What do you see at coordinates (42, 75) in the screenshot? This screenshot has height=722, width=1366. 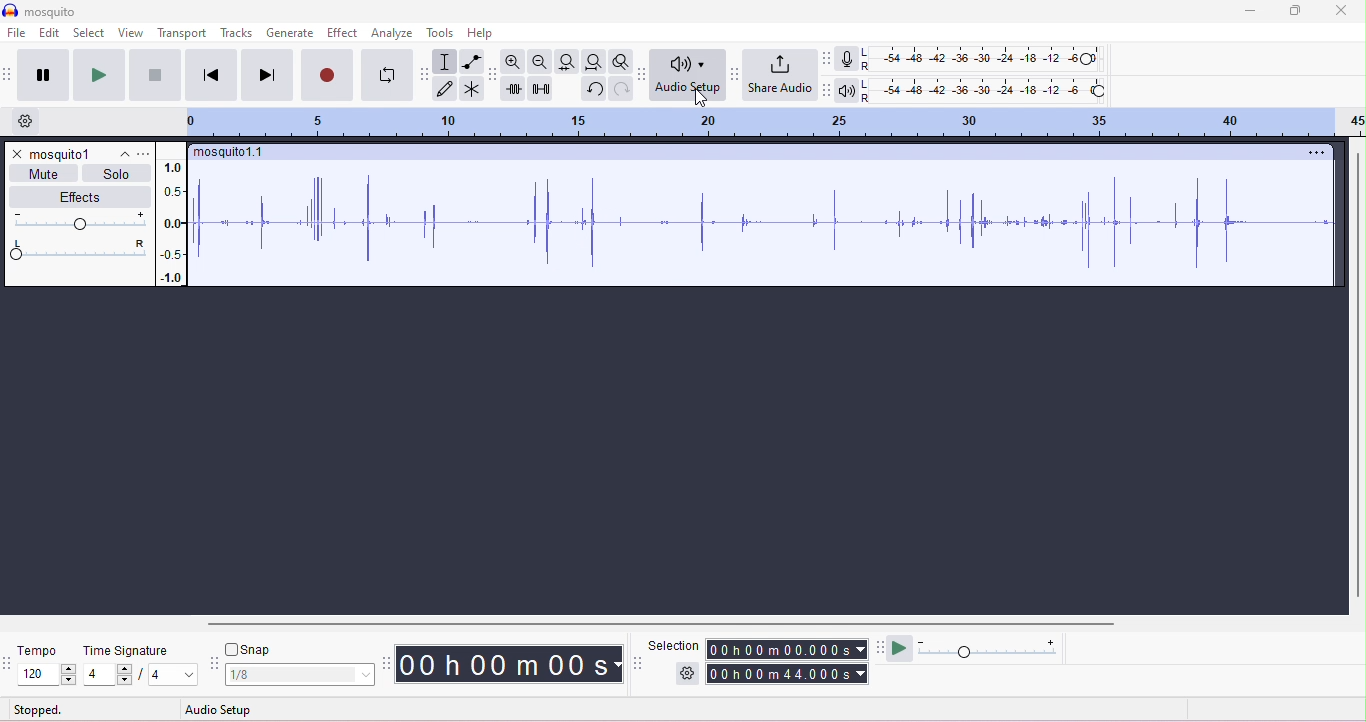 I see `pause` at bounding box center [42, 75].